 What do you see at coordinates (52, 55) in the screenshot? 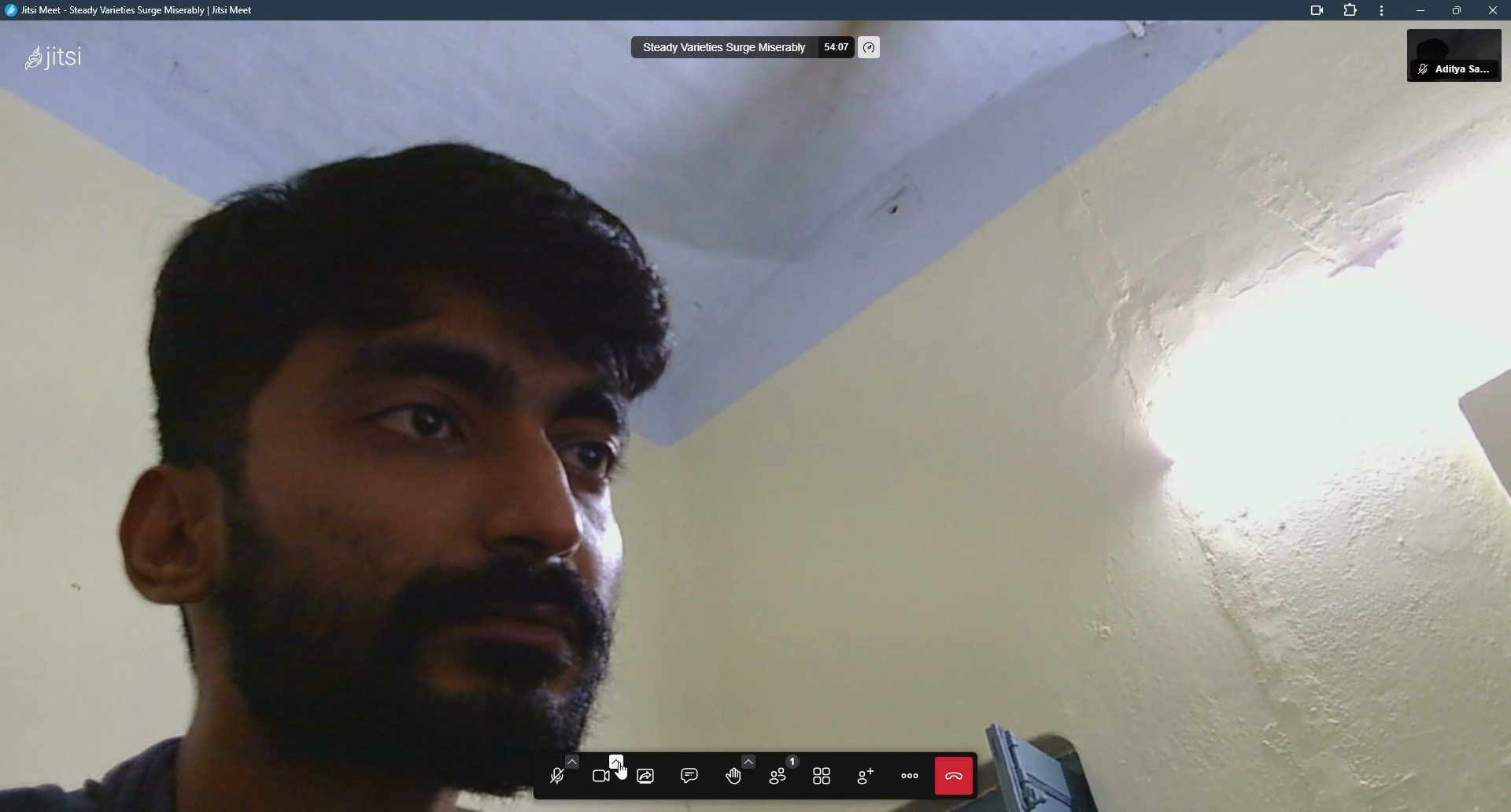
I see `jitsi` at bounding box center [52, 55].